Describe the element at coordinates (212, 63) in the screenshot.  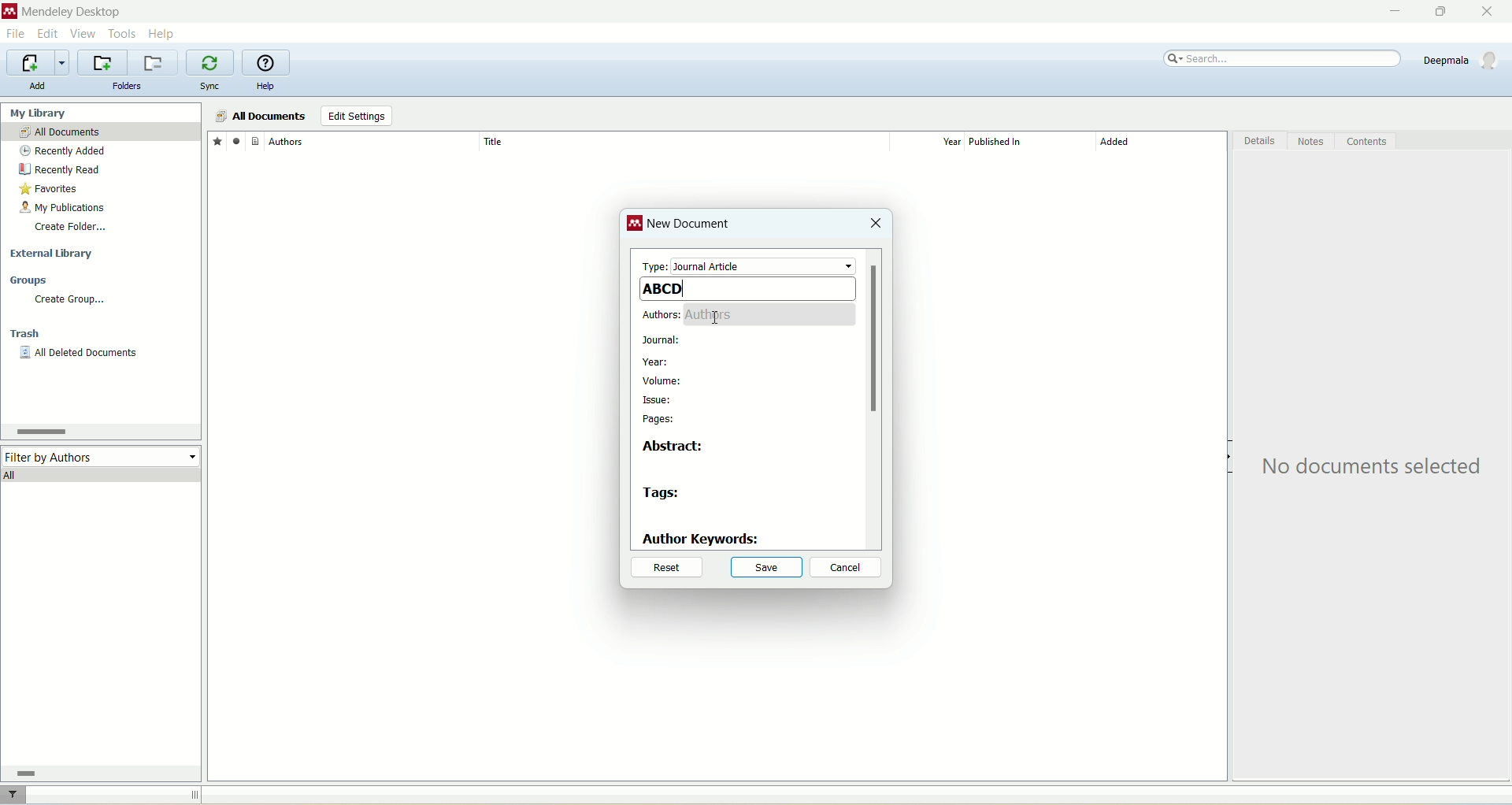
I see `synchronize library with mendeley web` at that location.